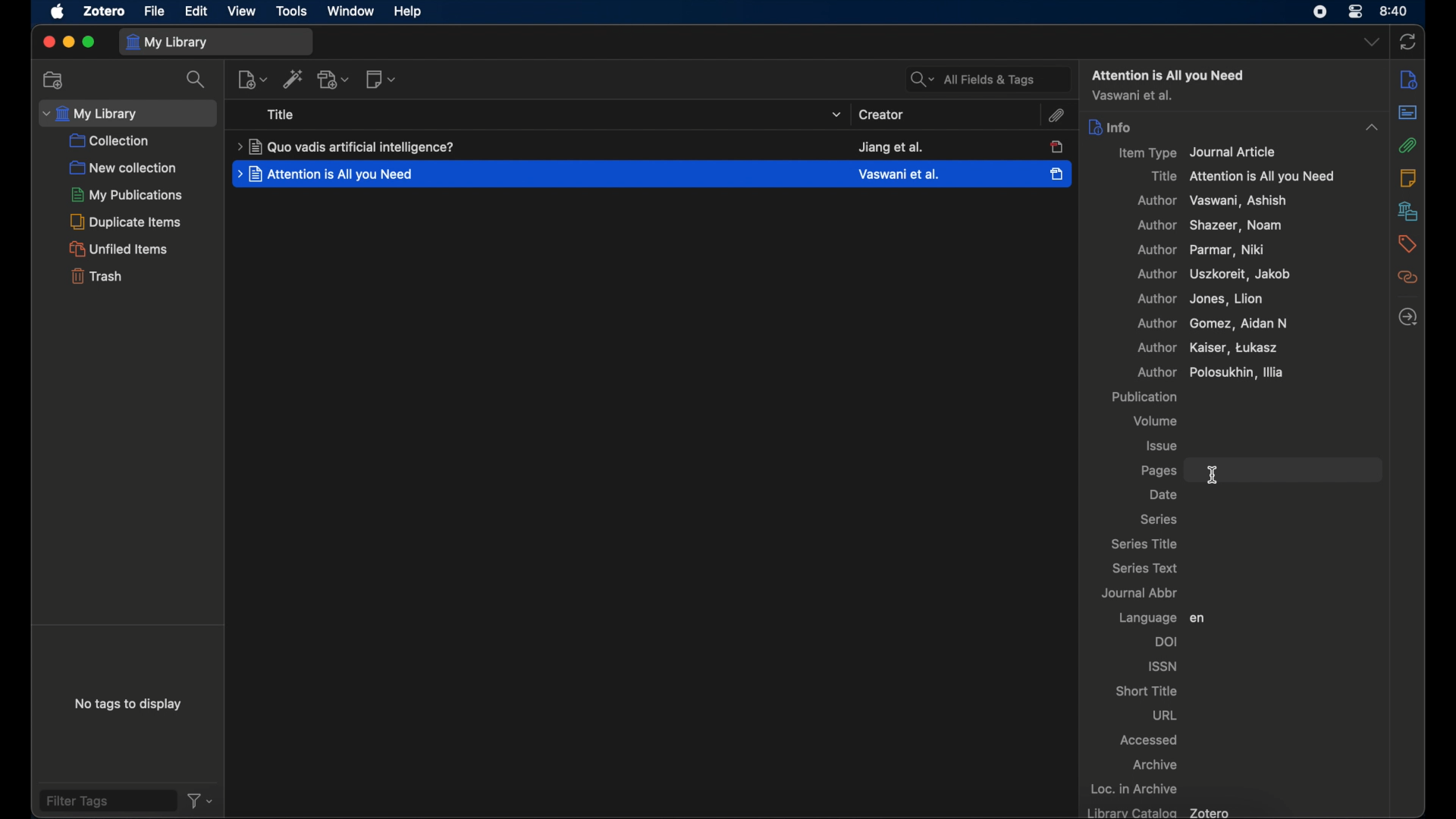 This screenshot has width=1456, height=819. I want to click on new collection, so click(123, 168).